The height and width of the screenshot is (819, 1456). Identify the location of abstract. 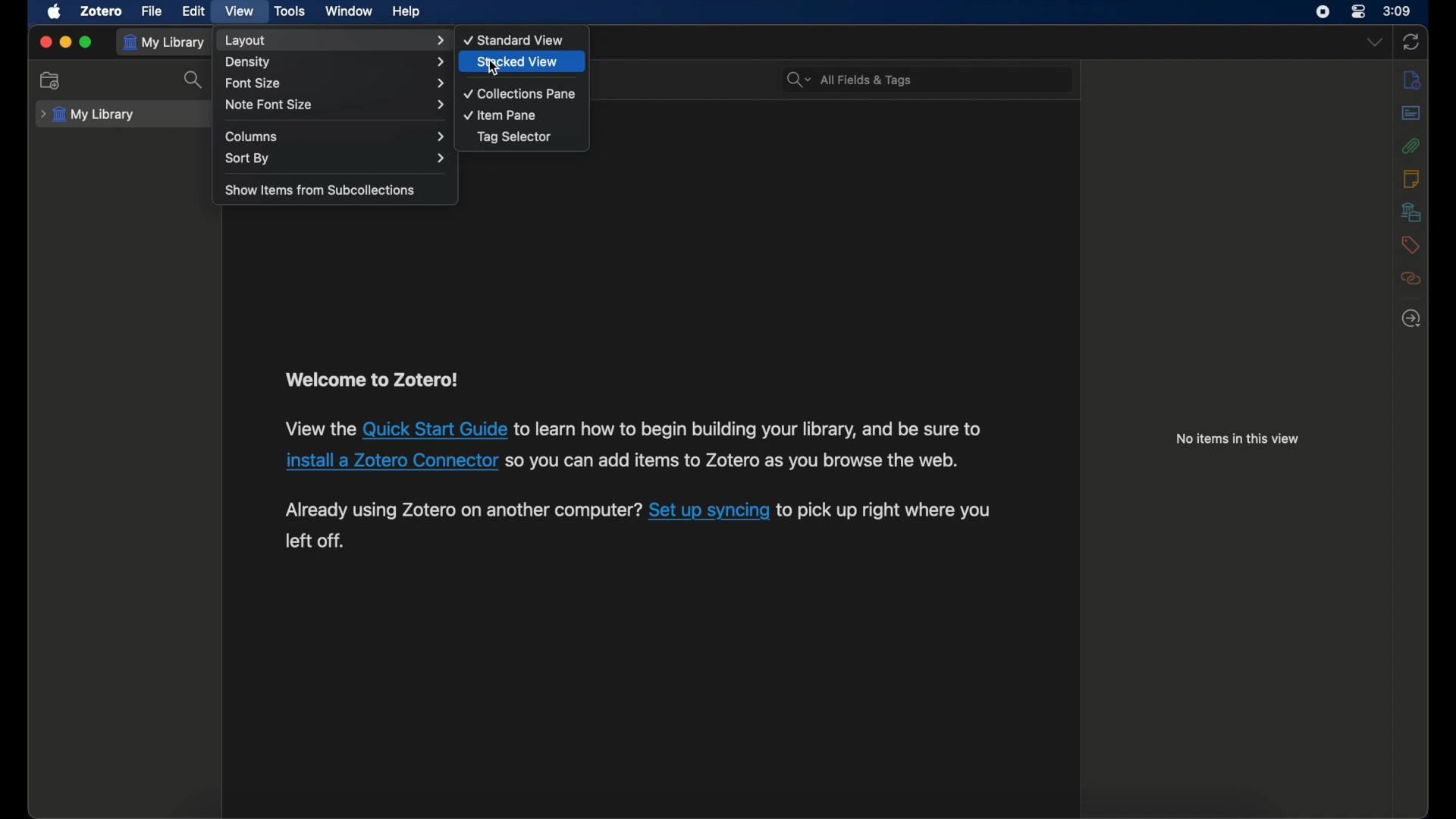
(1411, 113).